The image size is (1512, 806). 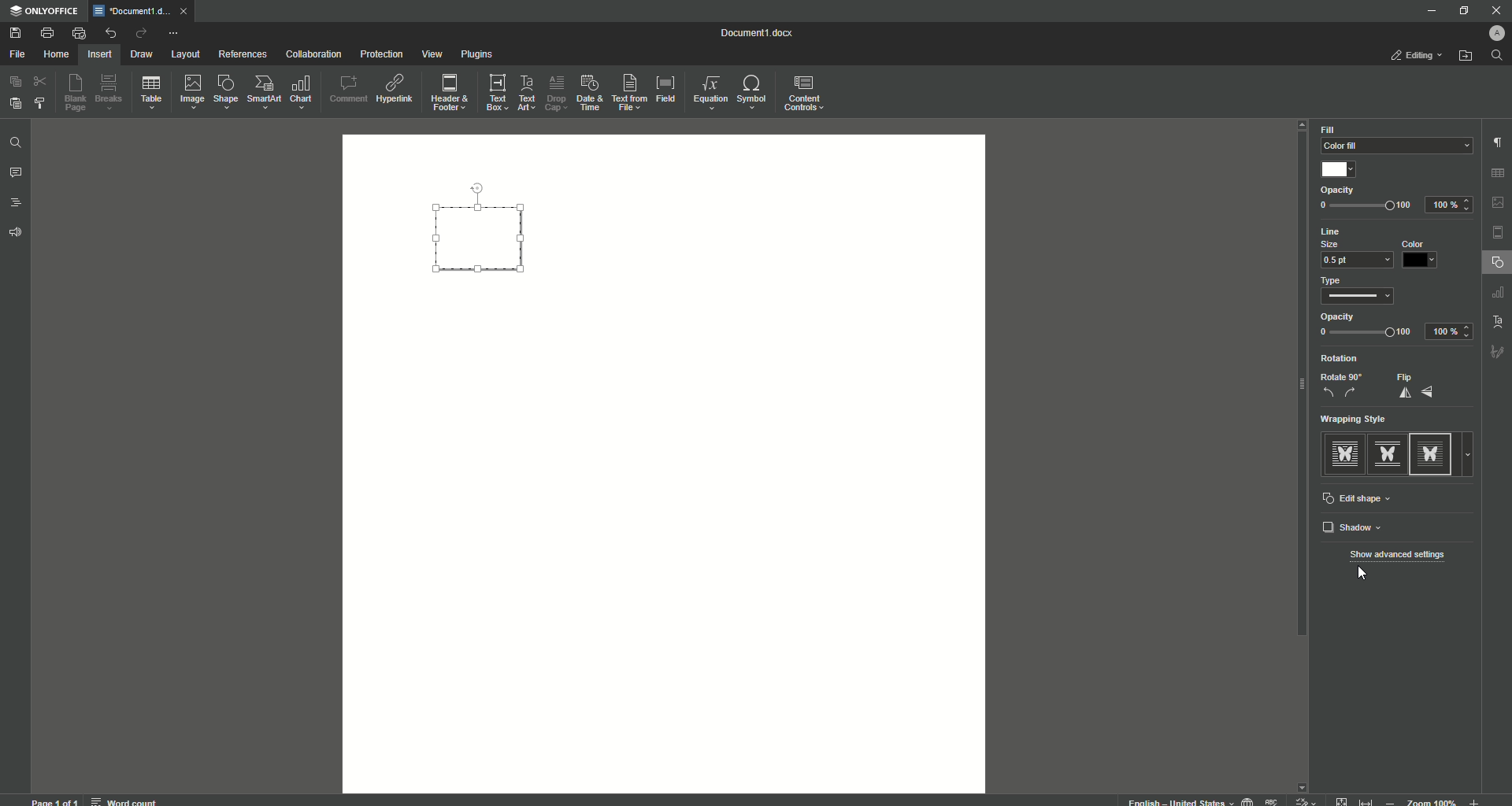 What do you see at coordinates (140, 35) in the screenshot?
I see `Redo` at bounding box center [140, 35].